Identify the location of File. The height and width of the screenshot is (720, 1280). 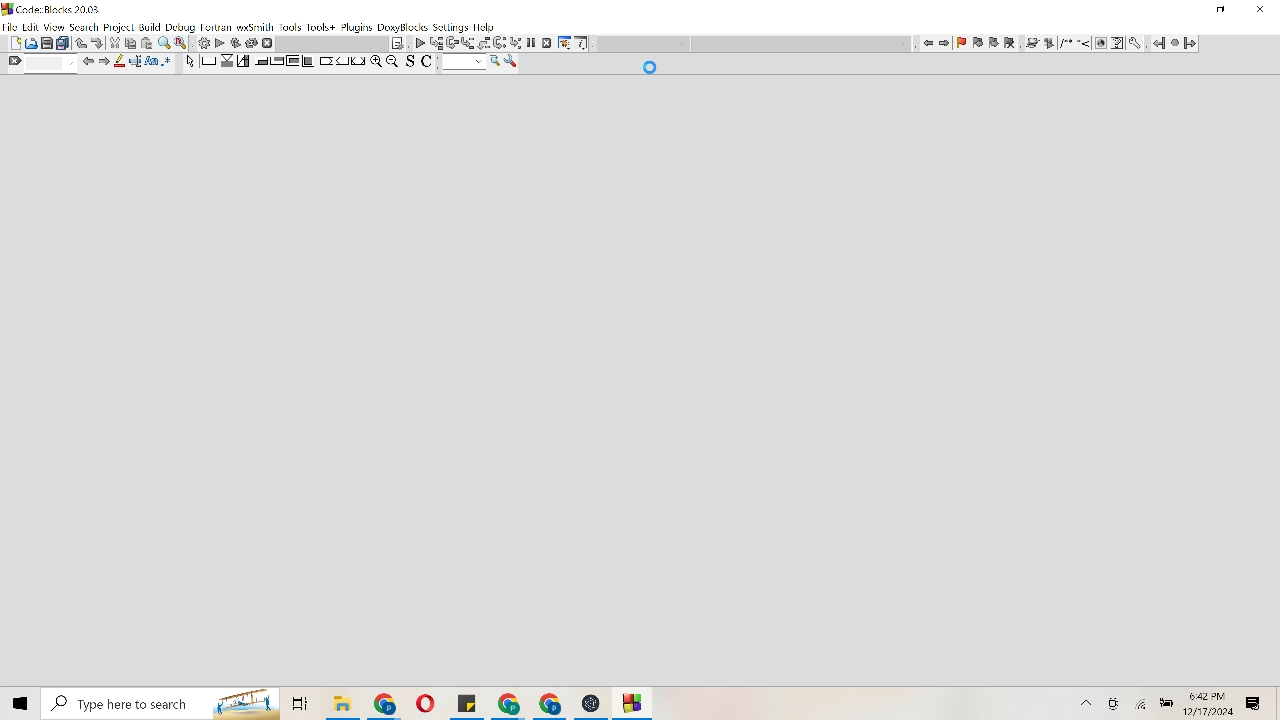
(10, 25).